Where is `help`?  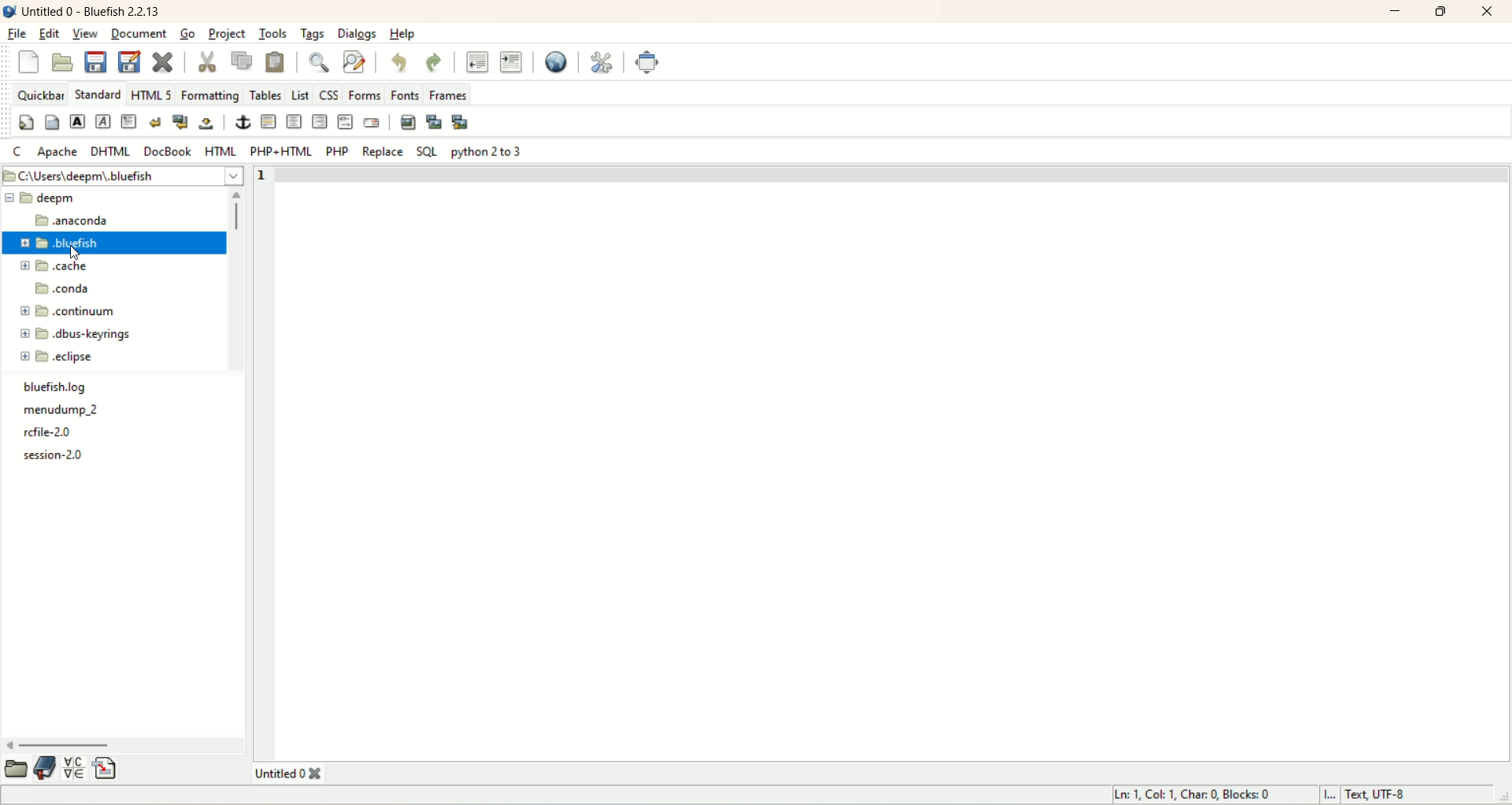 help is located at coordinates (400, 34).